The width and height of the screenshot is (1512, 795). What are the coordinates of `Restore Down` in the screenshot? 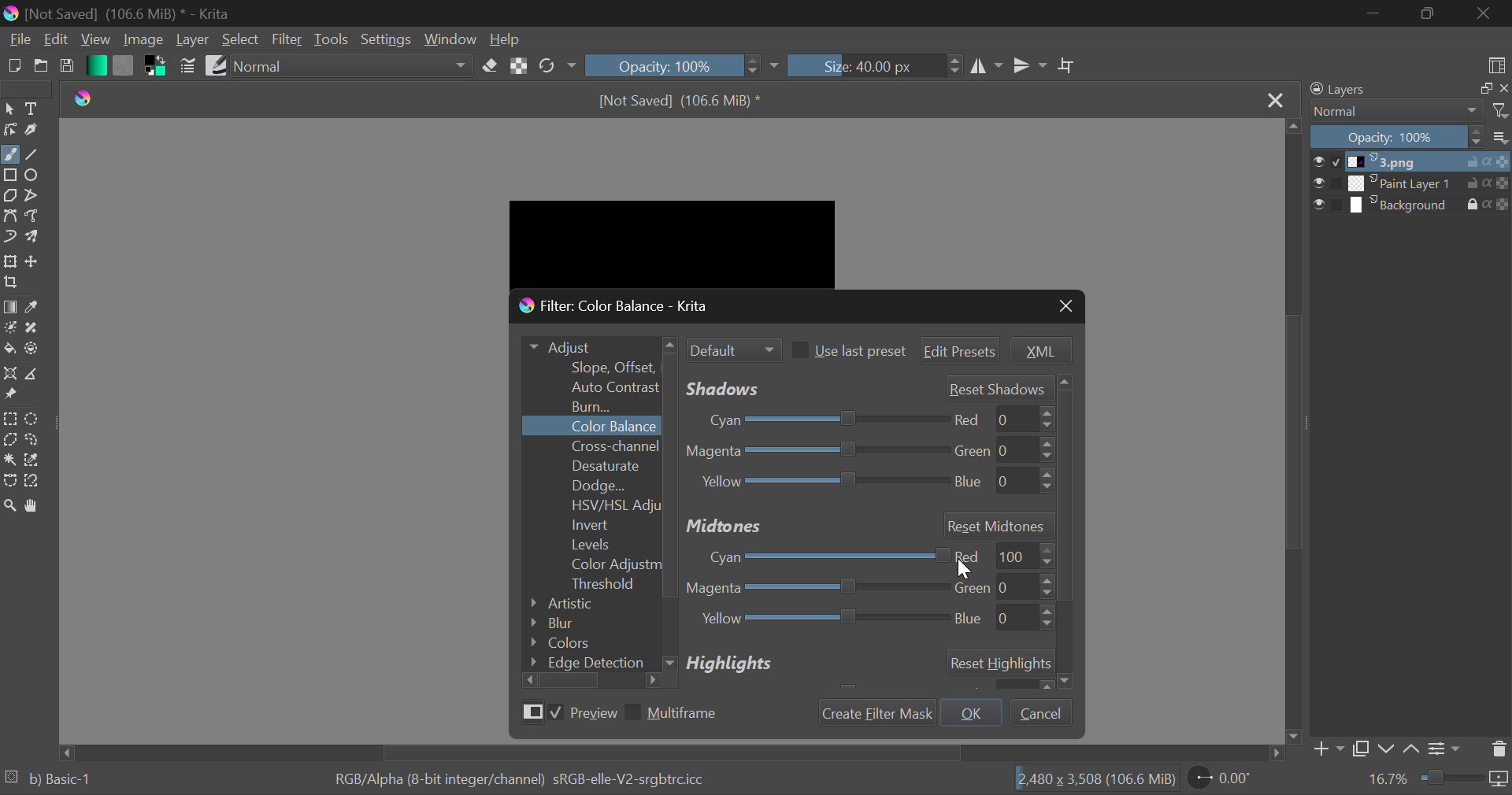 It's located at (1375, 13).